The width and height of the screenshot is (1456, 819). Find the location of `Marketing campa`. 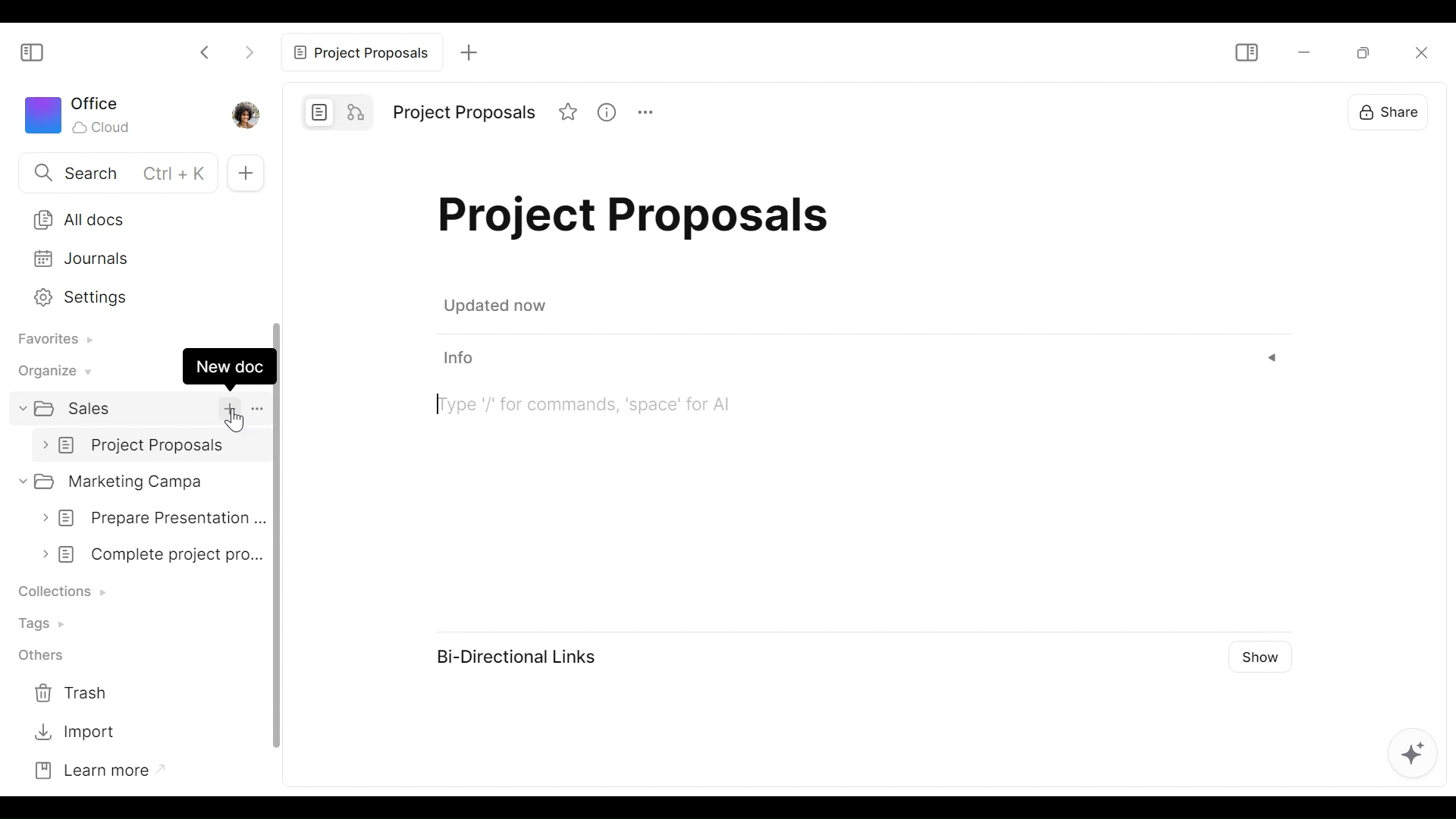

Marketing campa is located at coordinates (124, 482).